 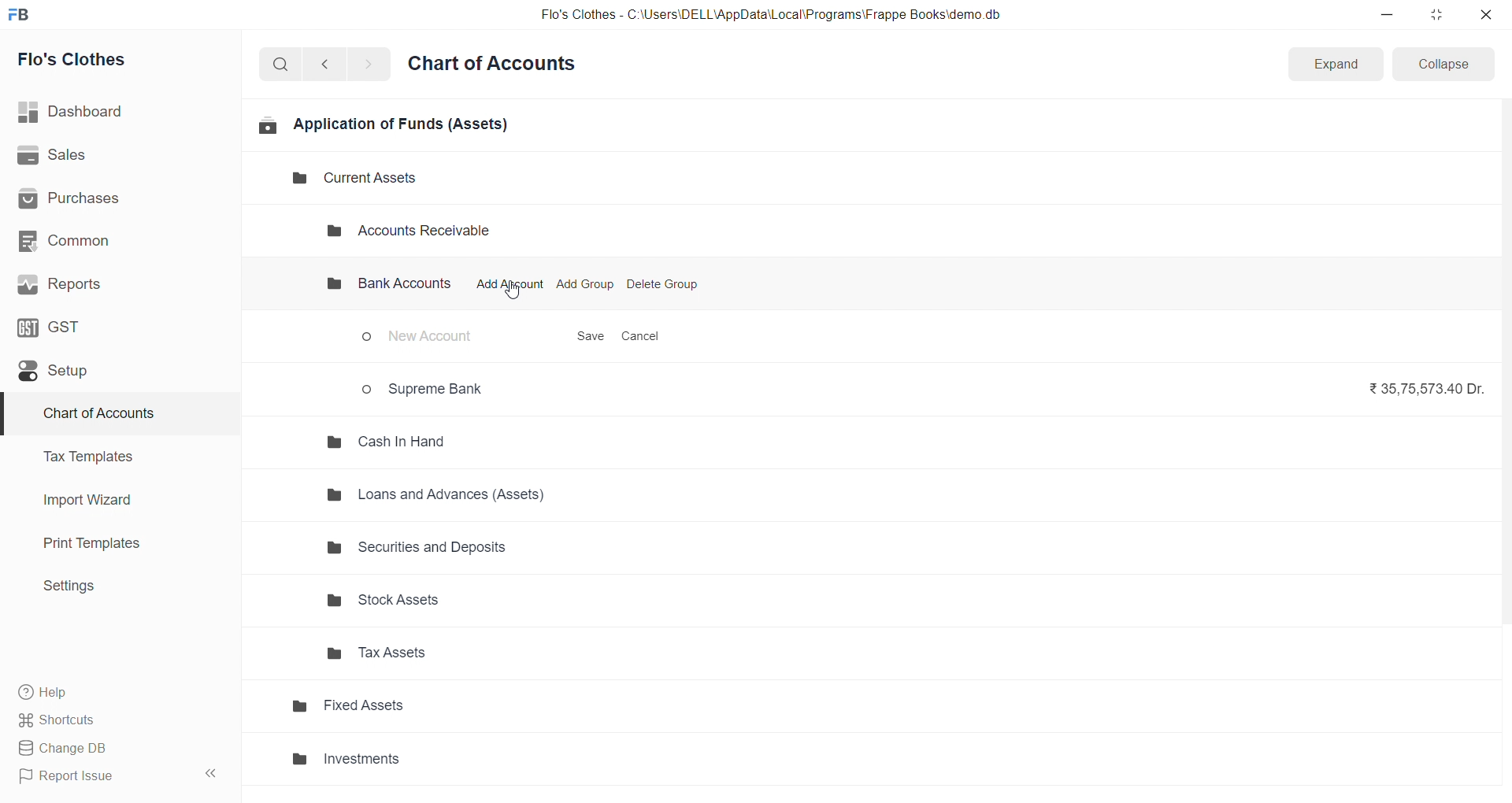 What do you see at coordinates (1421, 387) in the screenshot?
I see ` ₹ 35,75,573.40 Dr.` at bounding box center [1421, 387].